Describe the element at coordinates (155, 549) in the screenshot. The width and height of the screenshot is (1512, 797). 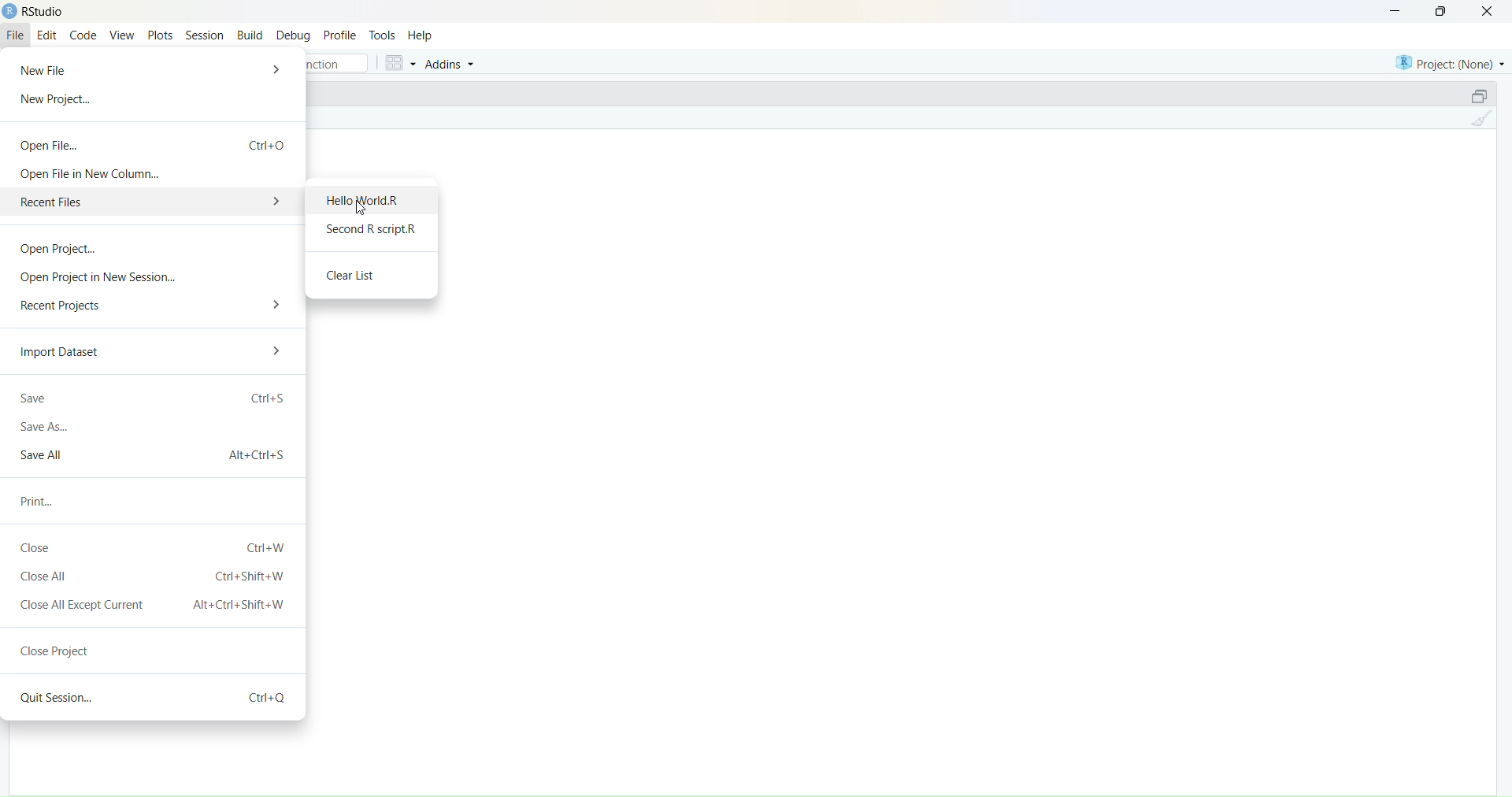
I see `Close Ctrl+W` at that location.